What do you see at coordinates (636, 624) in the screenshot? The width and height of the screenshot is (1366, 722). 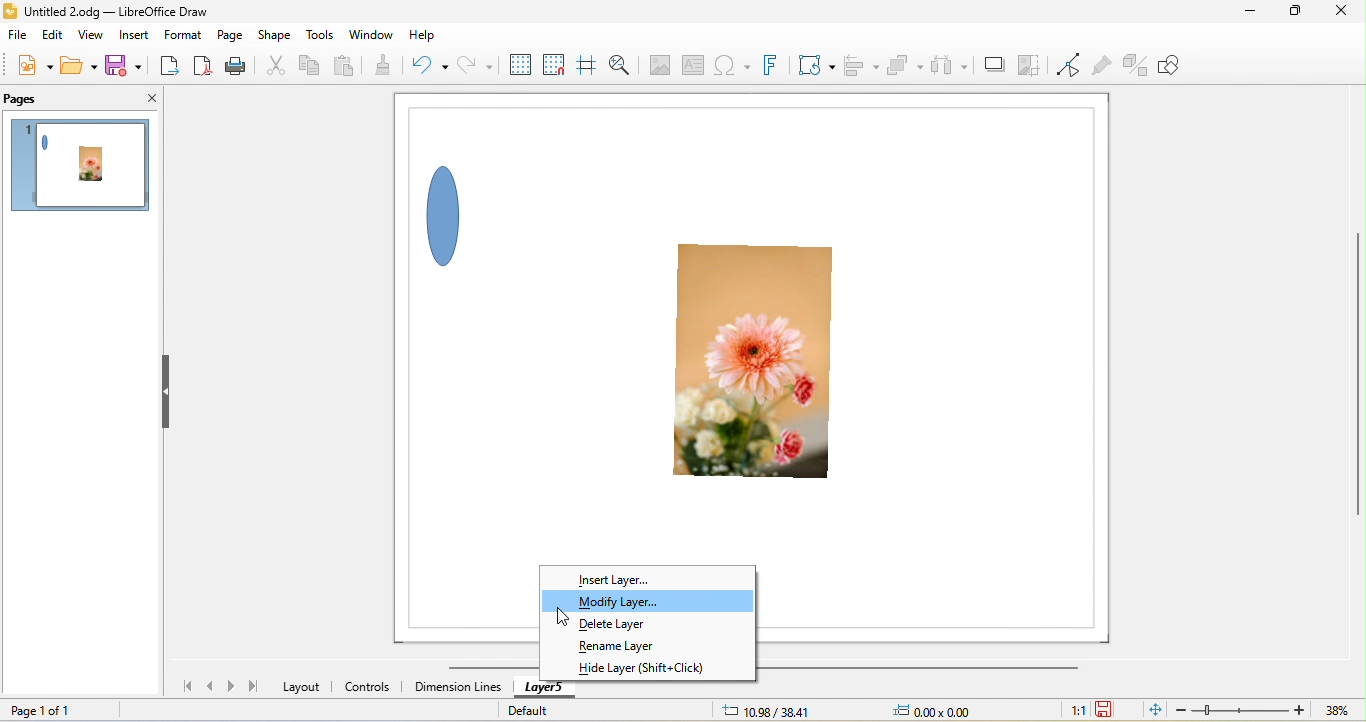 I see `delete layer` at bounding box center [636, 624].